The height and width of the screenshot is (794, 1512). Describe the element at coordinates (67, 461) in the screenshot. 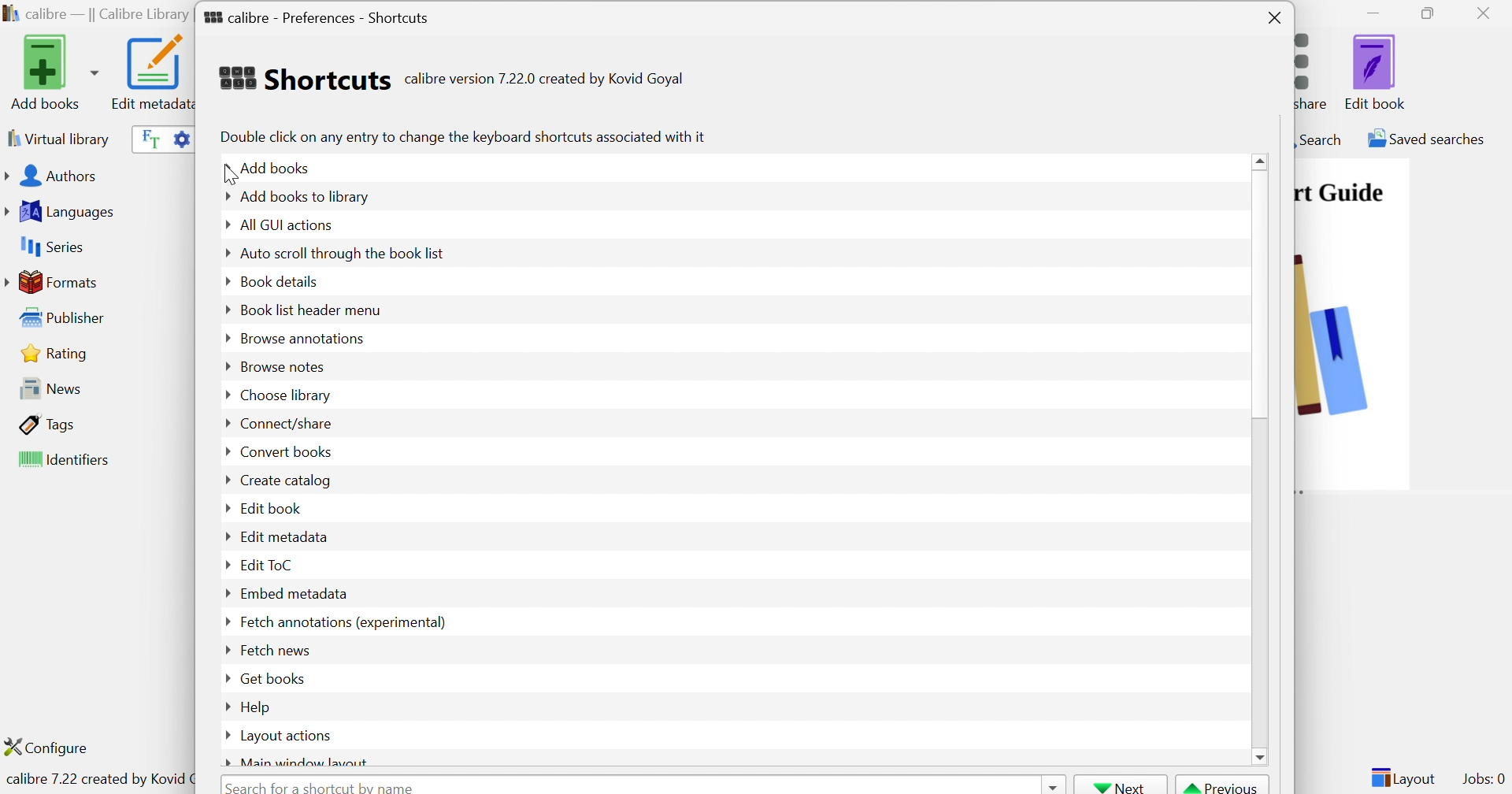

I see `Identifiers` at that location.